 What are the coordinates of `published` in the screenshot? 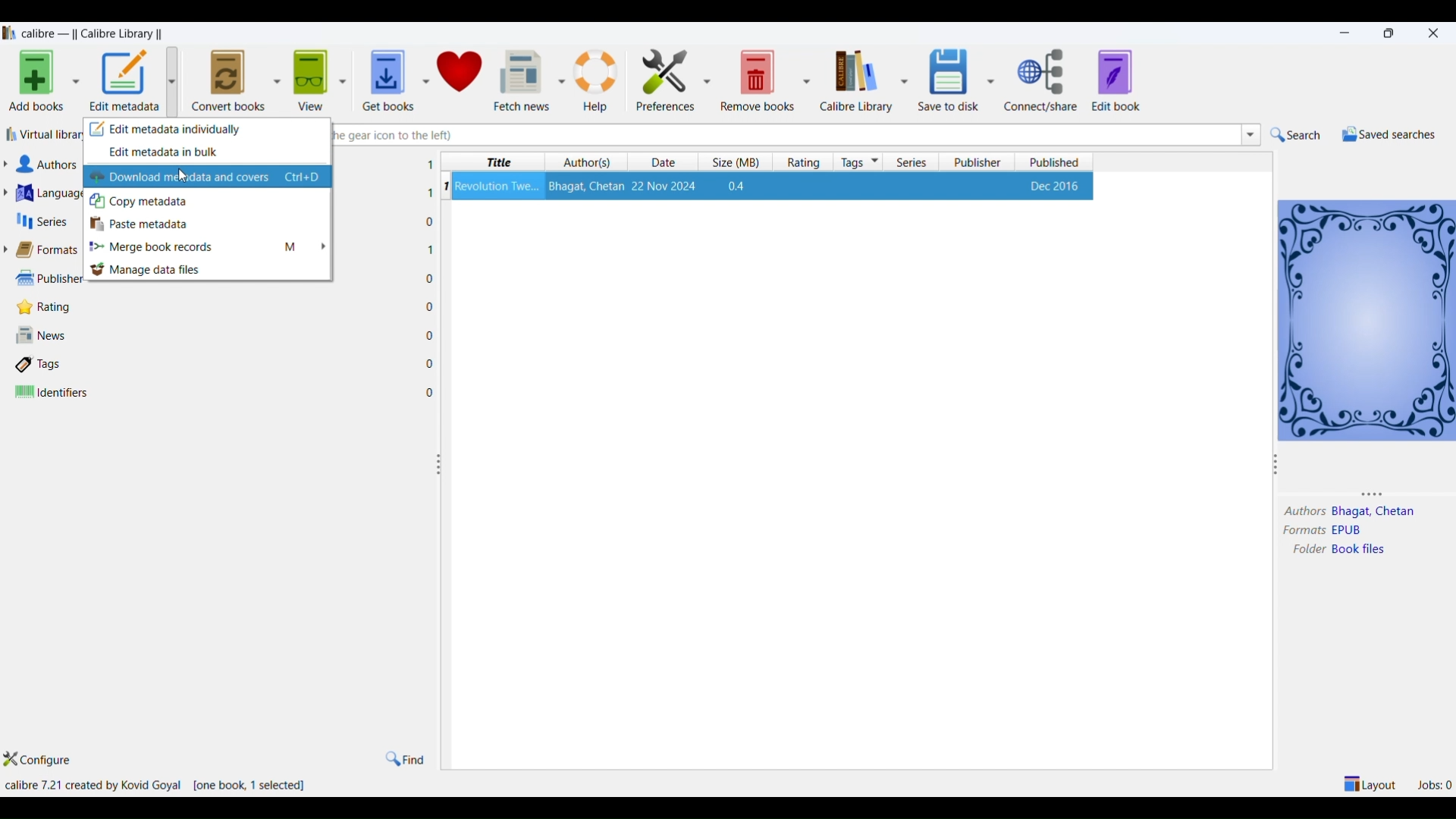 It's located at (1055, 162).